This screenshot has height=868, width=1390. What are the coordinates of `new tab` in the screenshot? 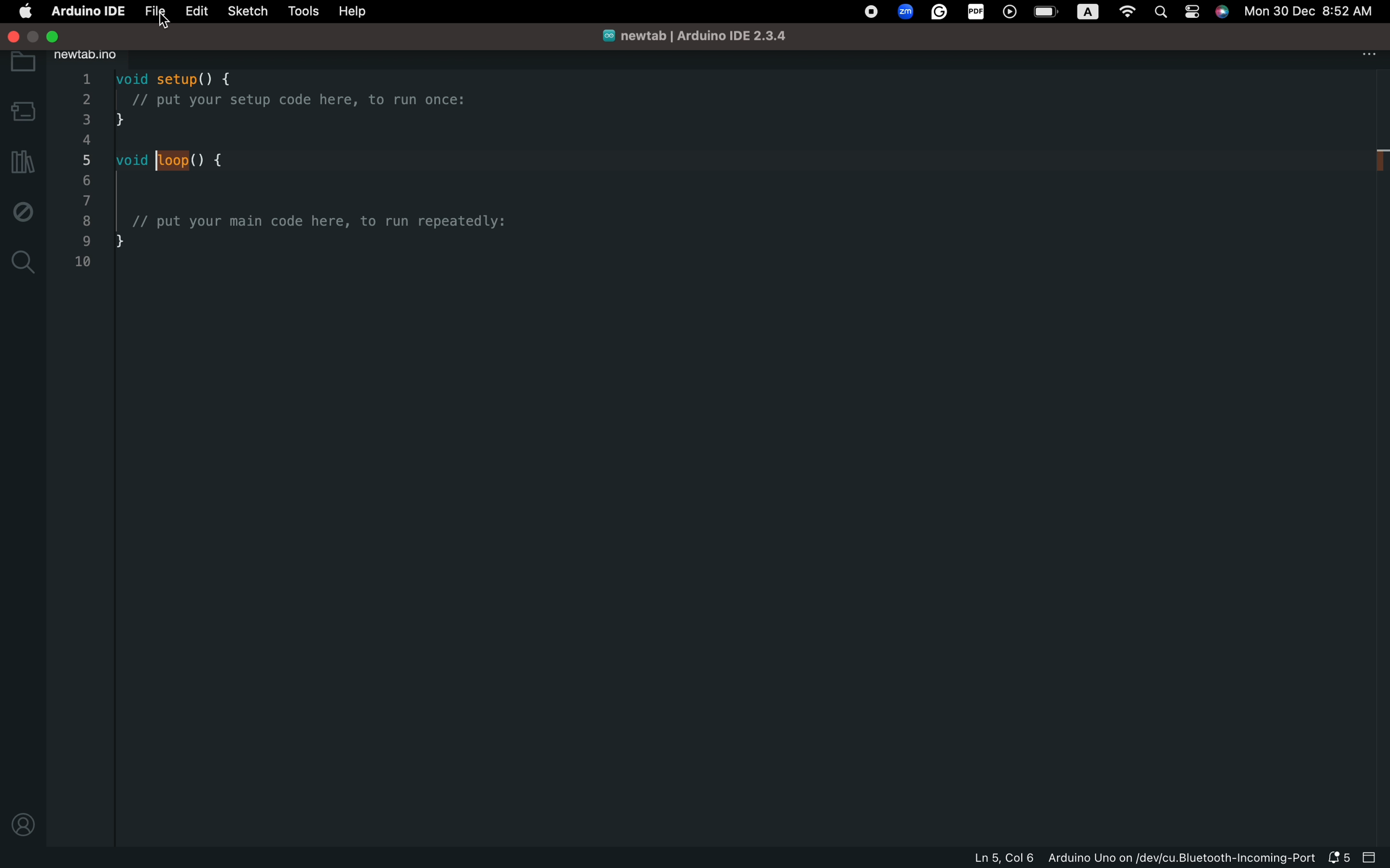 It's located at (85, 53).